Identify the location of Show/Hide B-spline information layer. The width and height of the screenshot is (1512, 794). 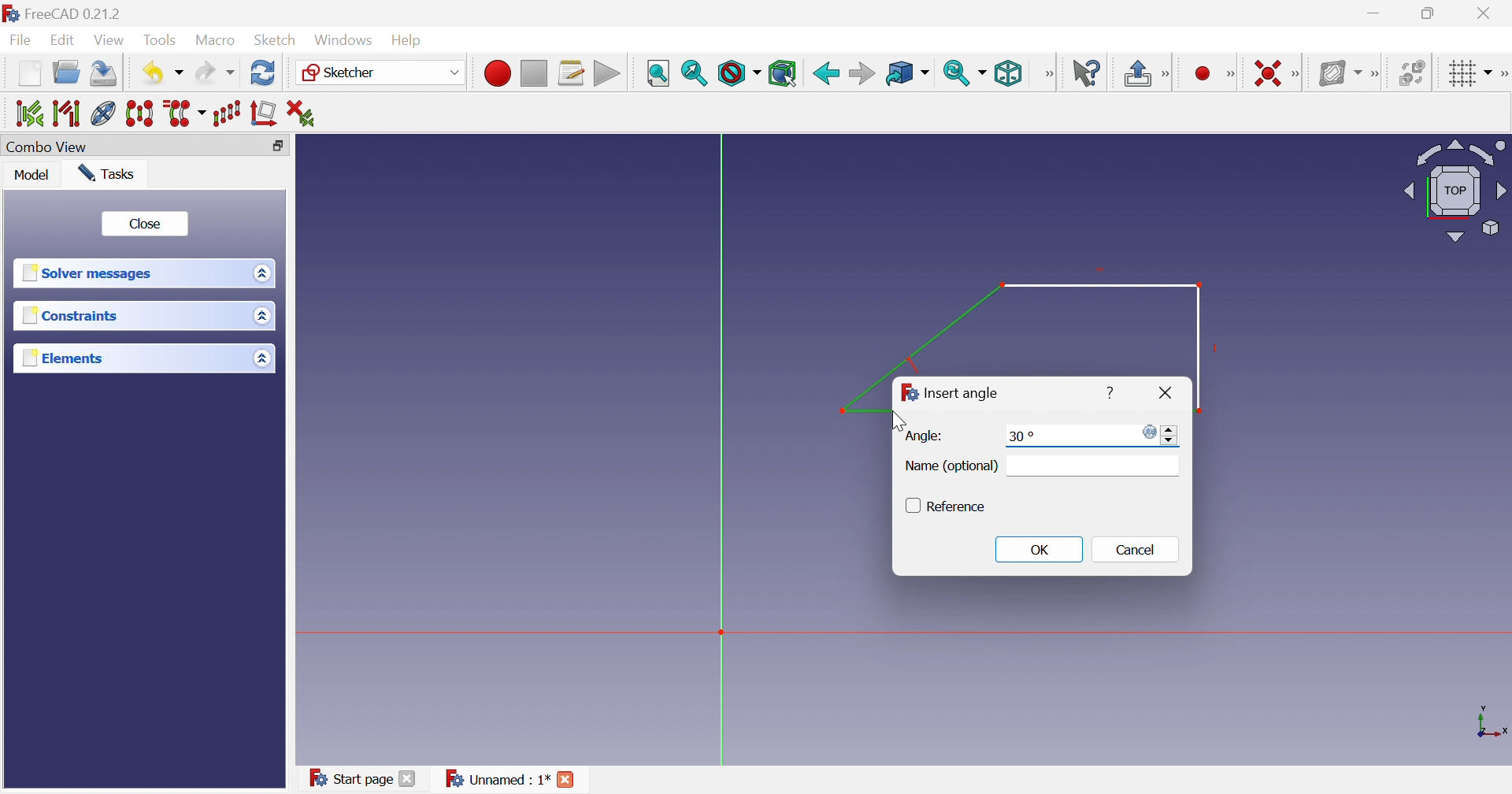
(1336, 72).